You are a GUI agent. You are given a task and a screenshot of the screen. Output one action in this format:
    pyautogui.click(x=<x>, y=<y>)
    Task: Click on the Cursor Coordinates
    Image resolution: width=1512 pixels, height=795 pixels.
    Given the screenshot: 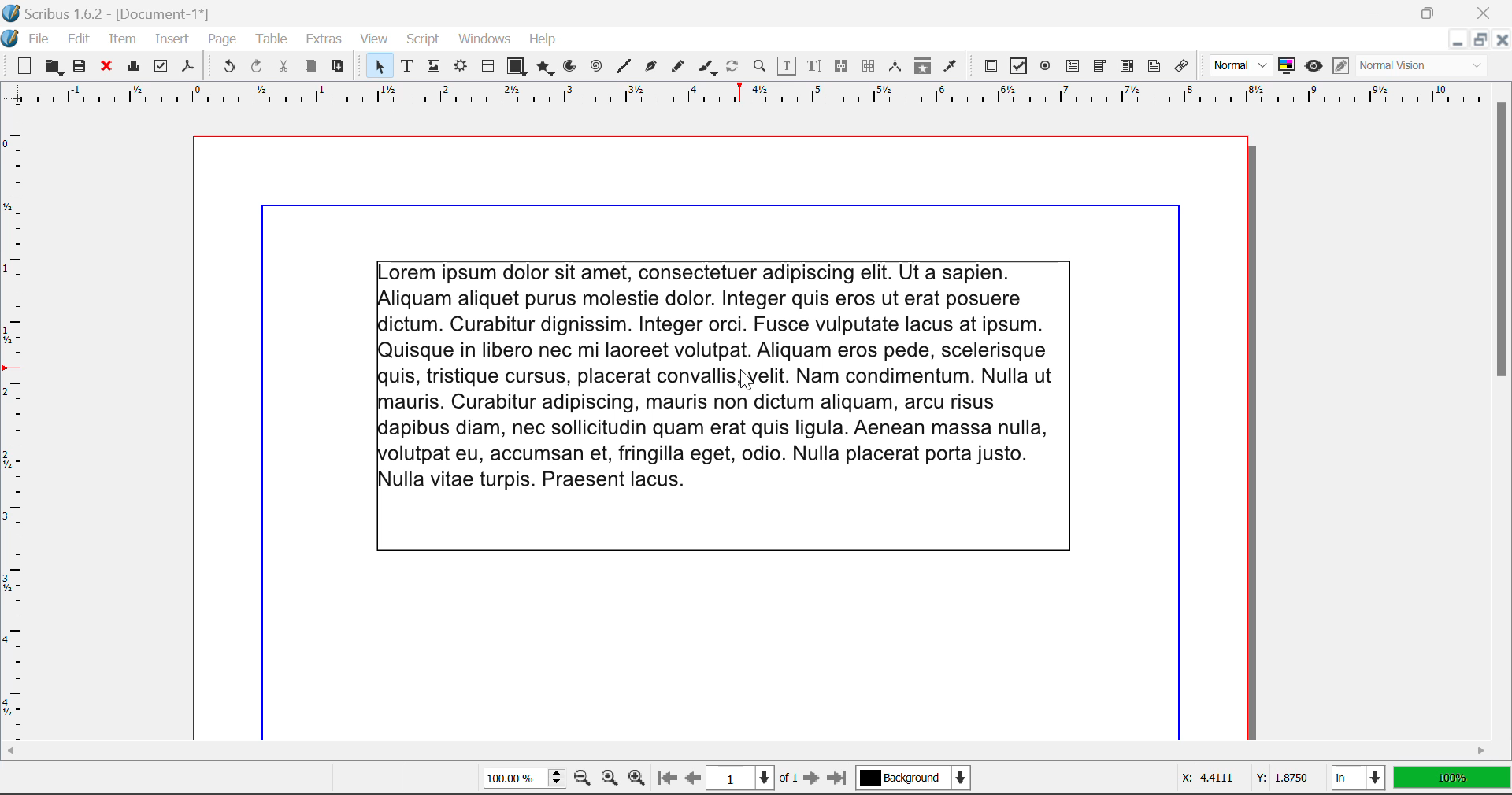 What is the action you would take?
    pyautogui.click(x=1241, y=778)
    